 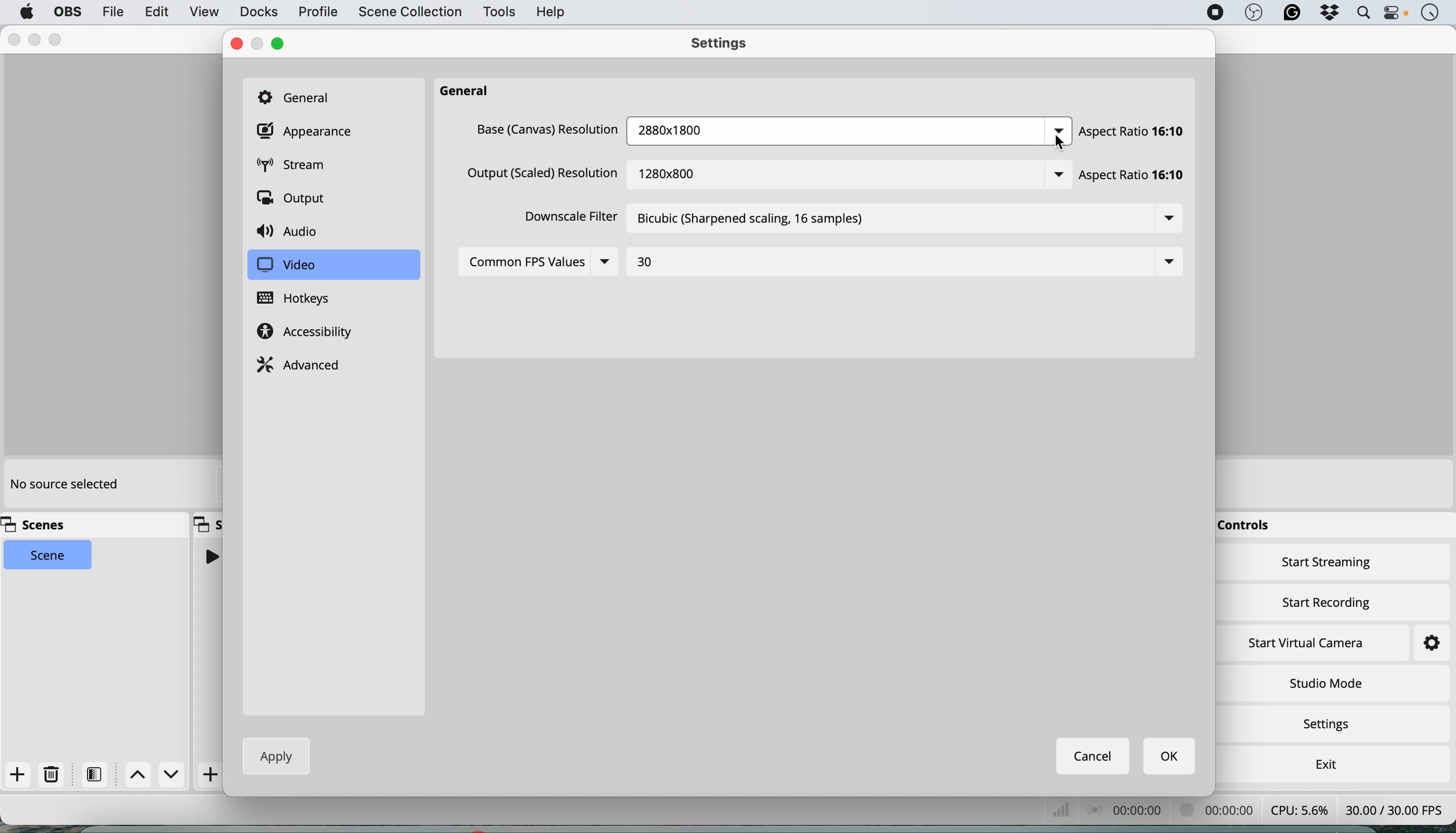 I want to click on start virtual camera, so click(x=1307, y=643).